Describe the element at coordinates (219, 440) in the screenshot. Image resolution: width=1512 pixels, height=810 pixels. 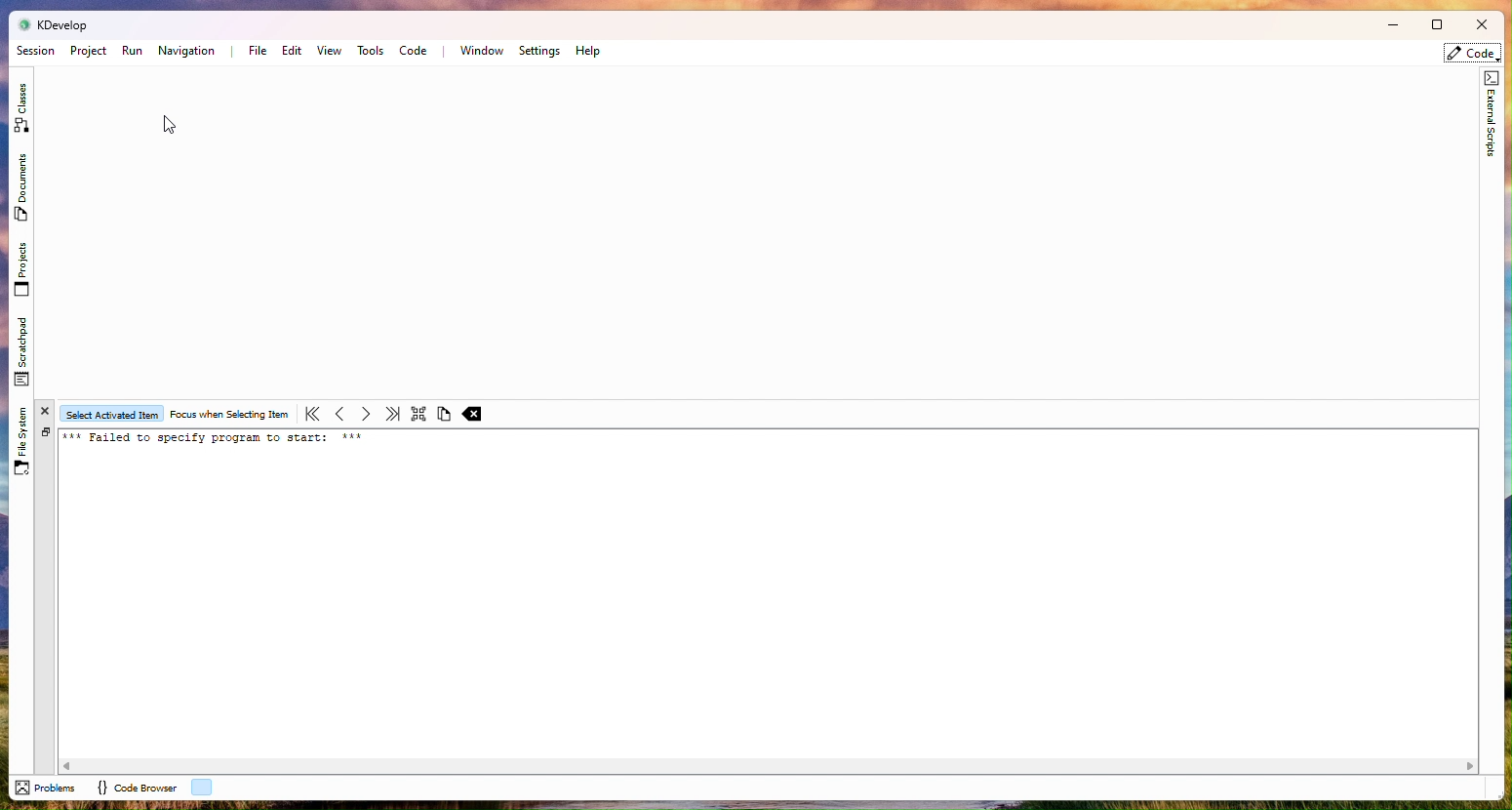
I see `Text` at that location.